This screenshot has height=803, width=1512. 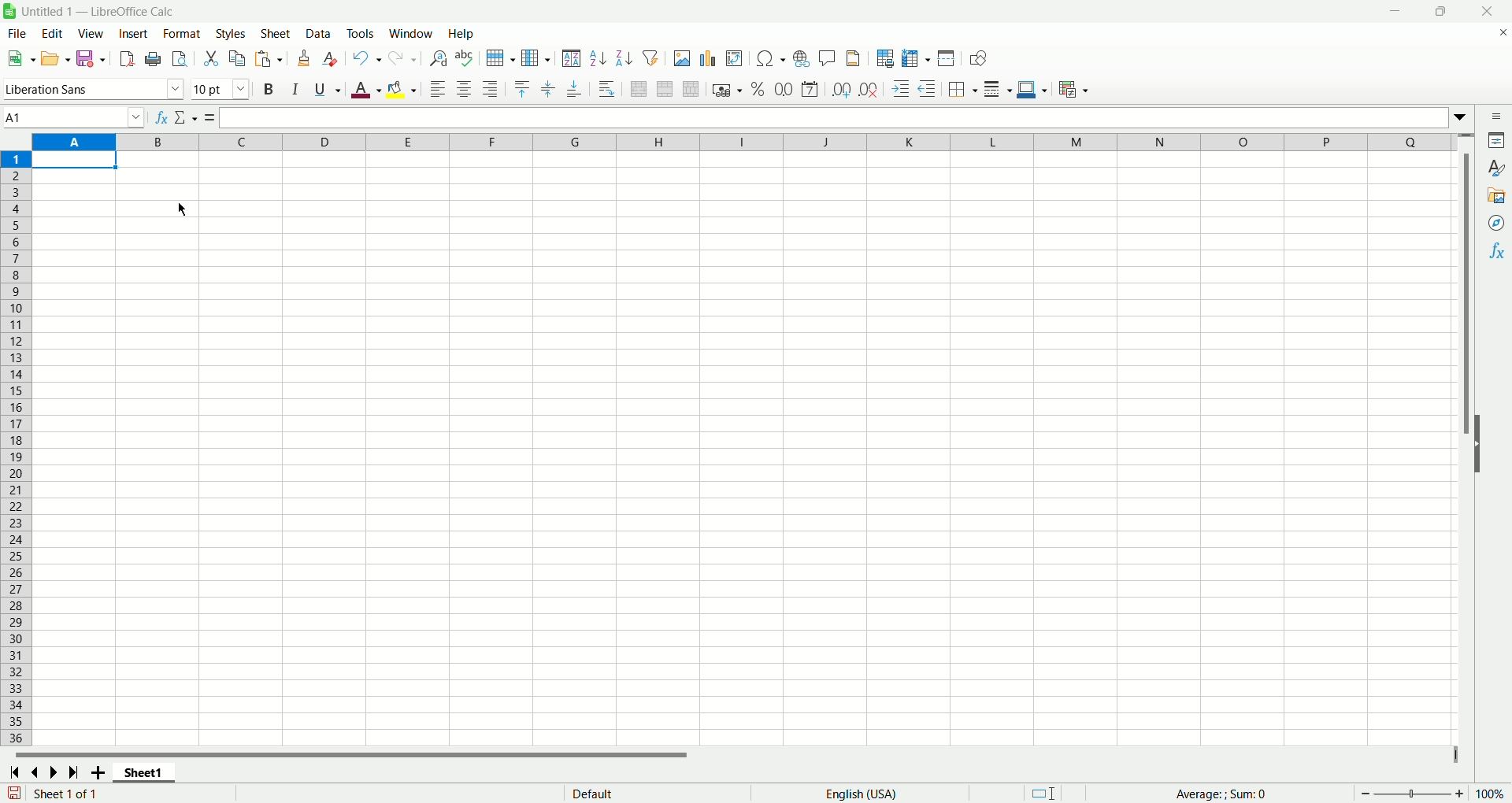 I want to click on print preview, so click(x=179, y=61).